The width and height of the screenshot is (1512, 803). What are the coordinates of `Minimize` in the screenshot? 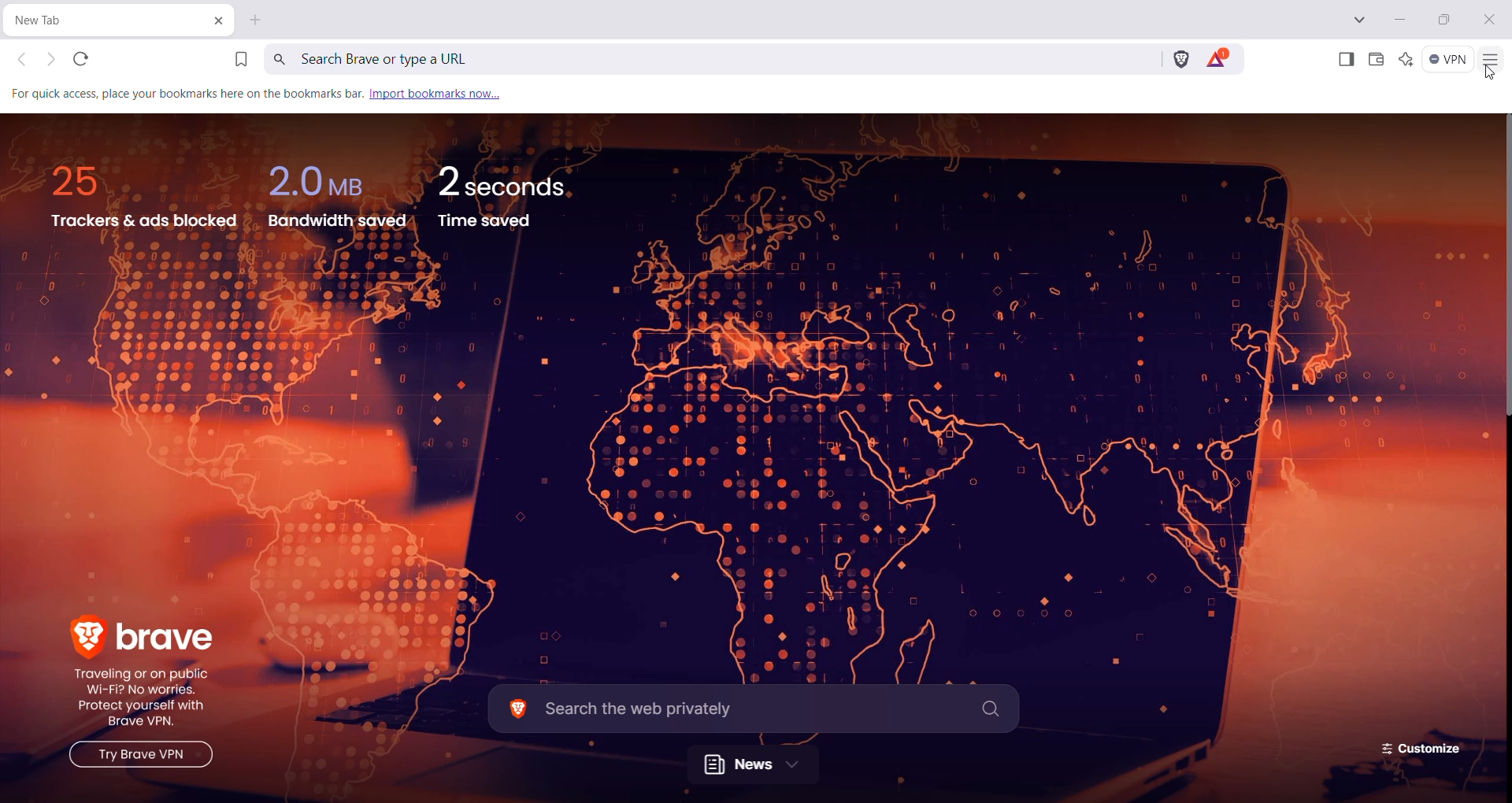 It's located at (1400, 19).